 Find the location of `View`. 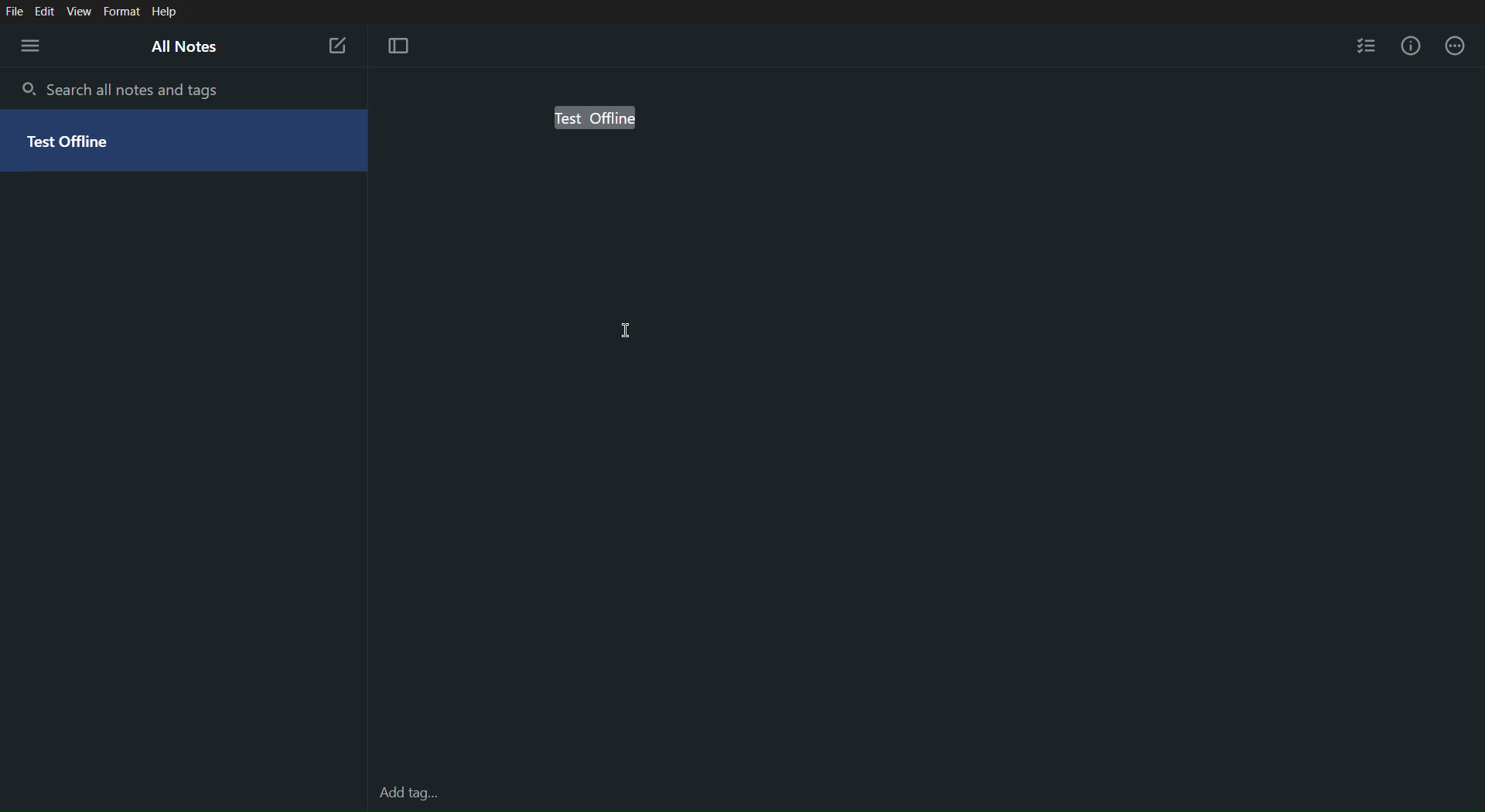

View is located at coordinates (81, 10).